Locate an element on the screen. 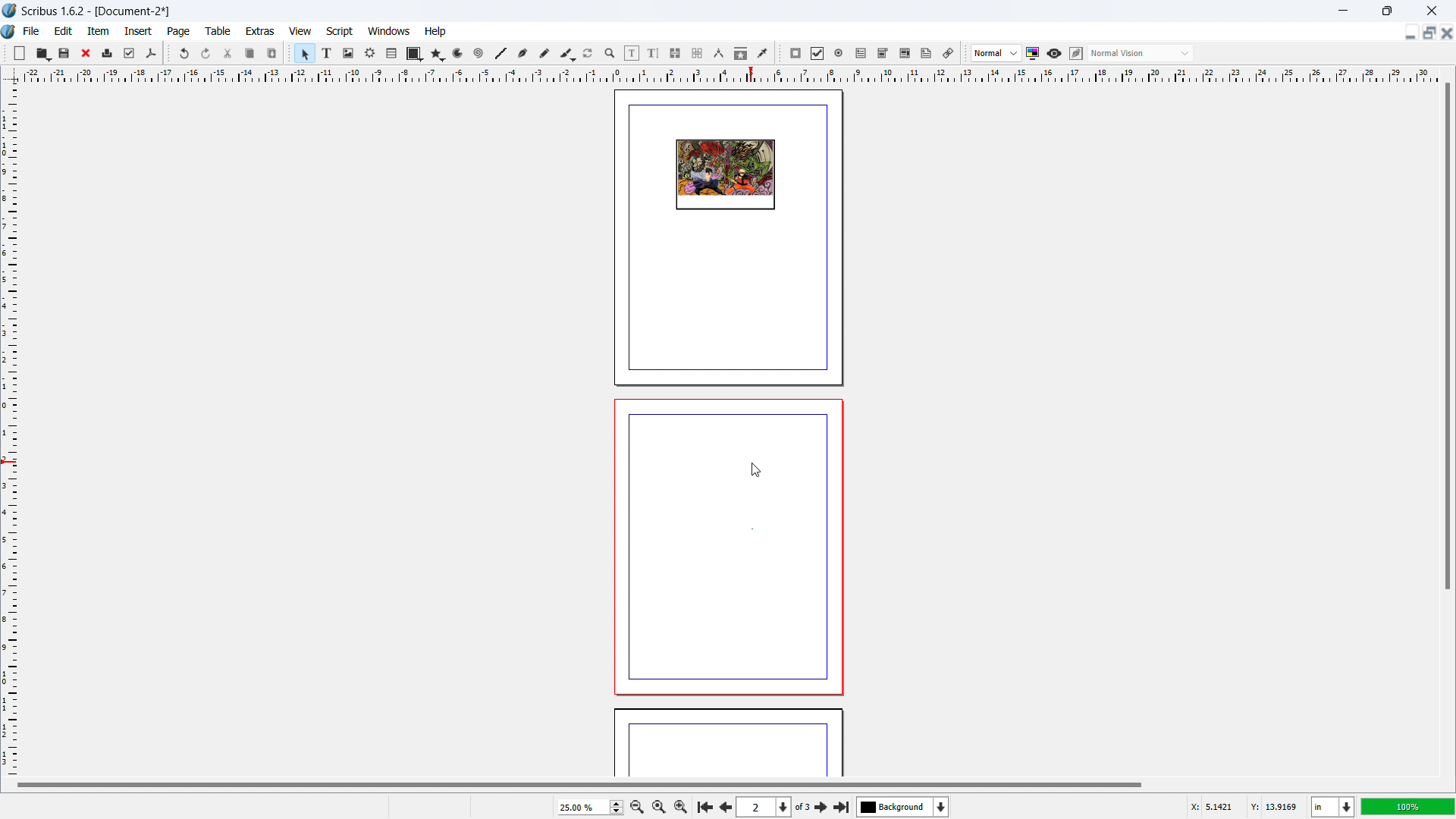  close document is located at coordinates (1447, 33).